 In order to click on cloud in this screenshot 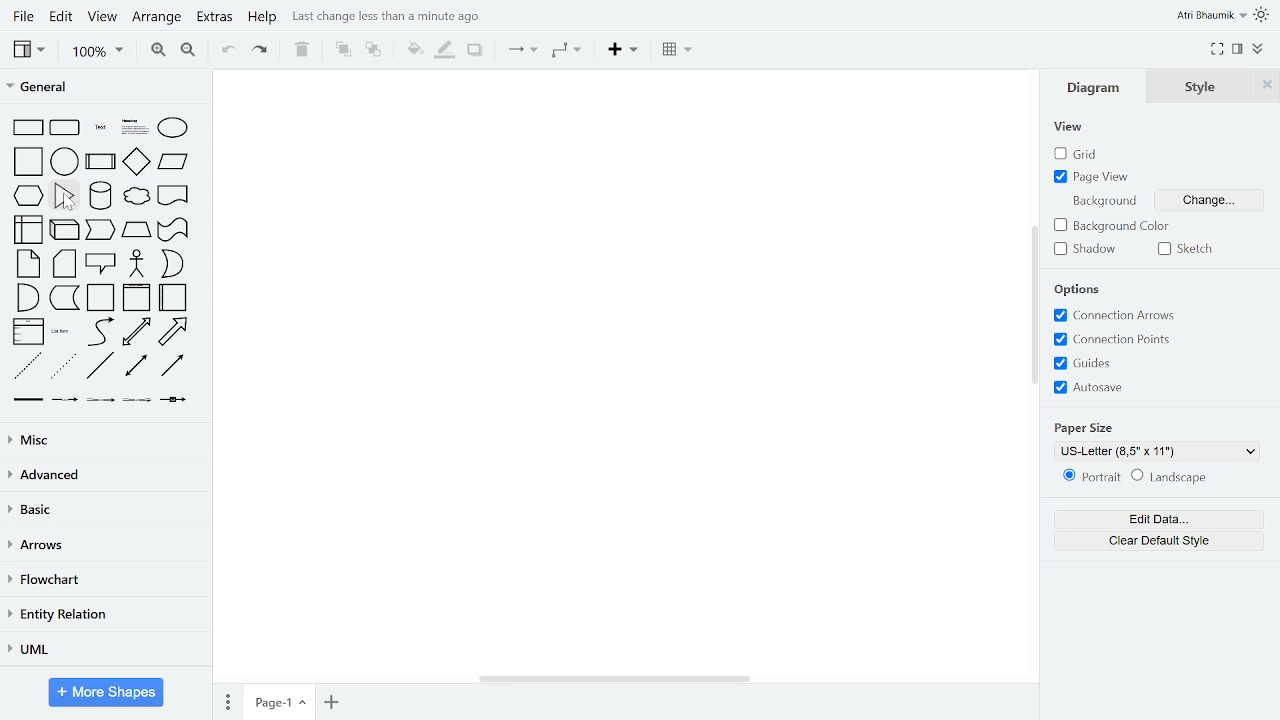, I will do `click(136, 196)`.